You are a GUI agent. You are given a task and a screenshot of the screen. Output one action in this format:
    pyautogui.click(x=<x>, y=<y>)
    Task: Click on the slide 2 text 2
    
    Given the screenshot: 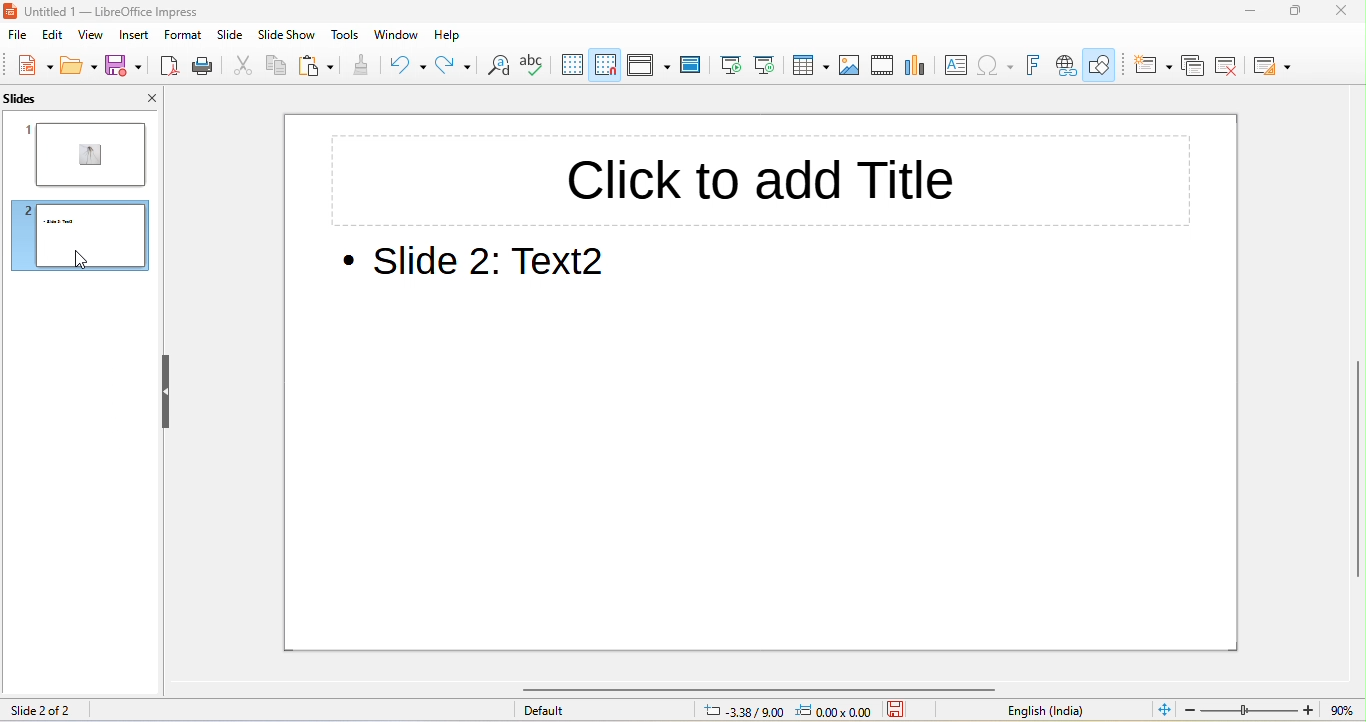 What is the action you would take?
    pyautogui.click(x=484, y=265)
    